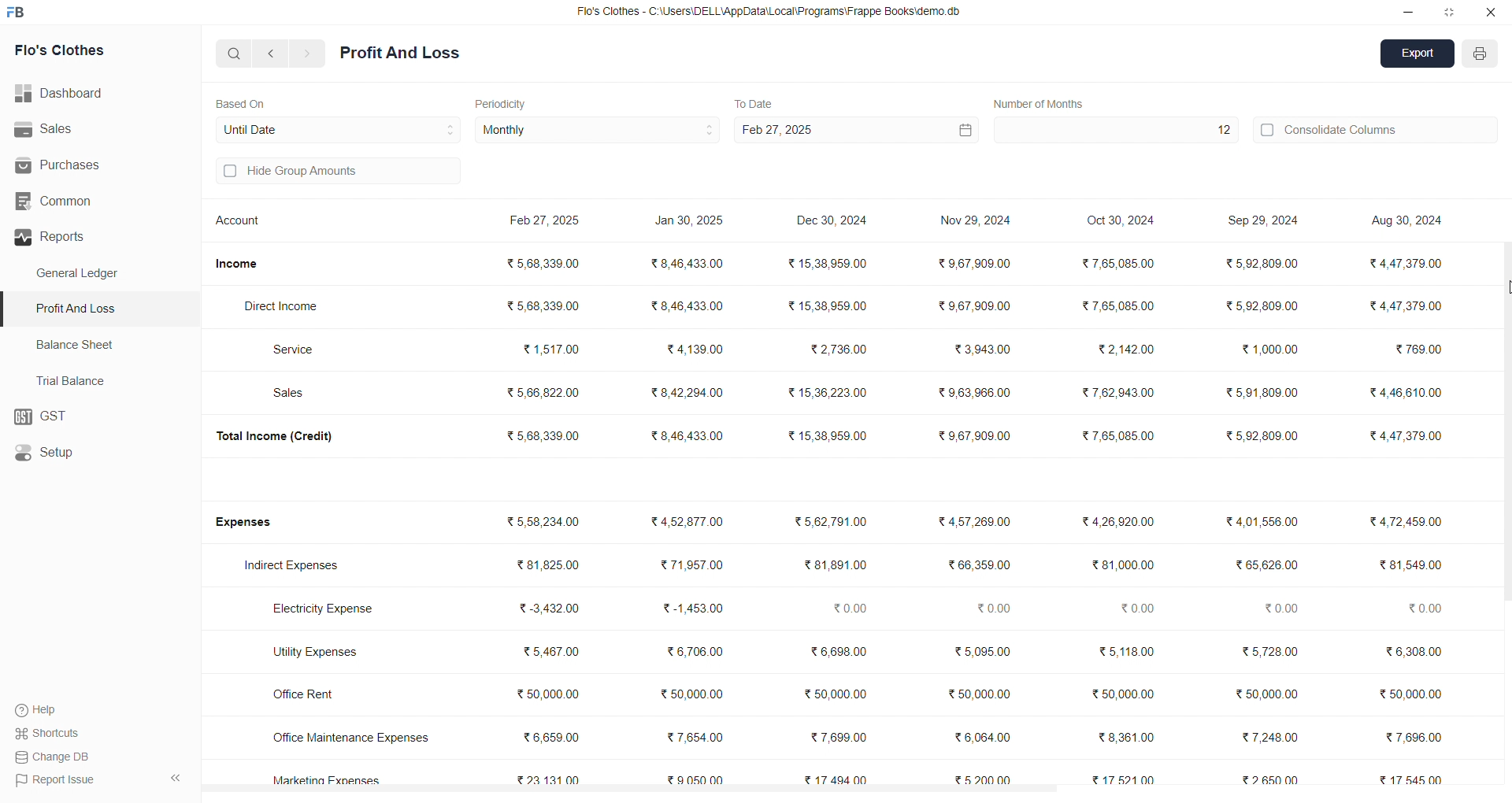  Describe the element at coordinates (86, 274) in the screenshot. I see `General Ledger` at that location.